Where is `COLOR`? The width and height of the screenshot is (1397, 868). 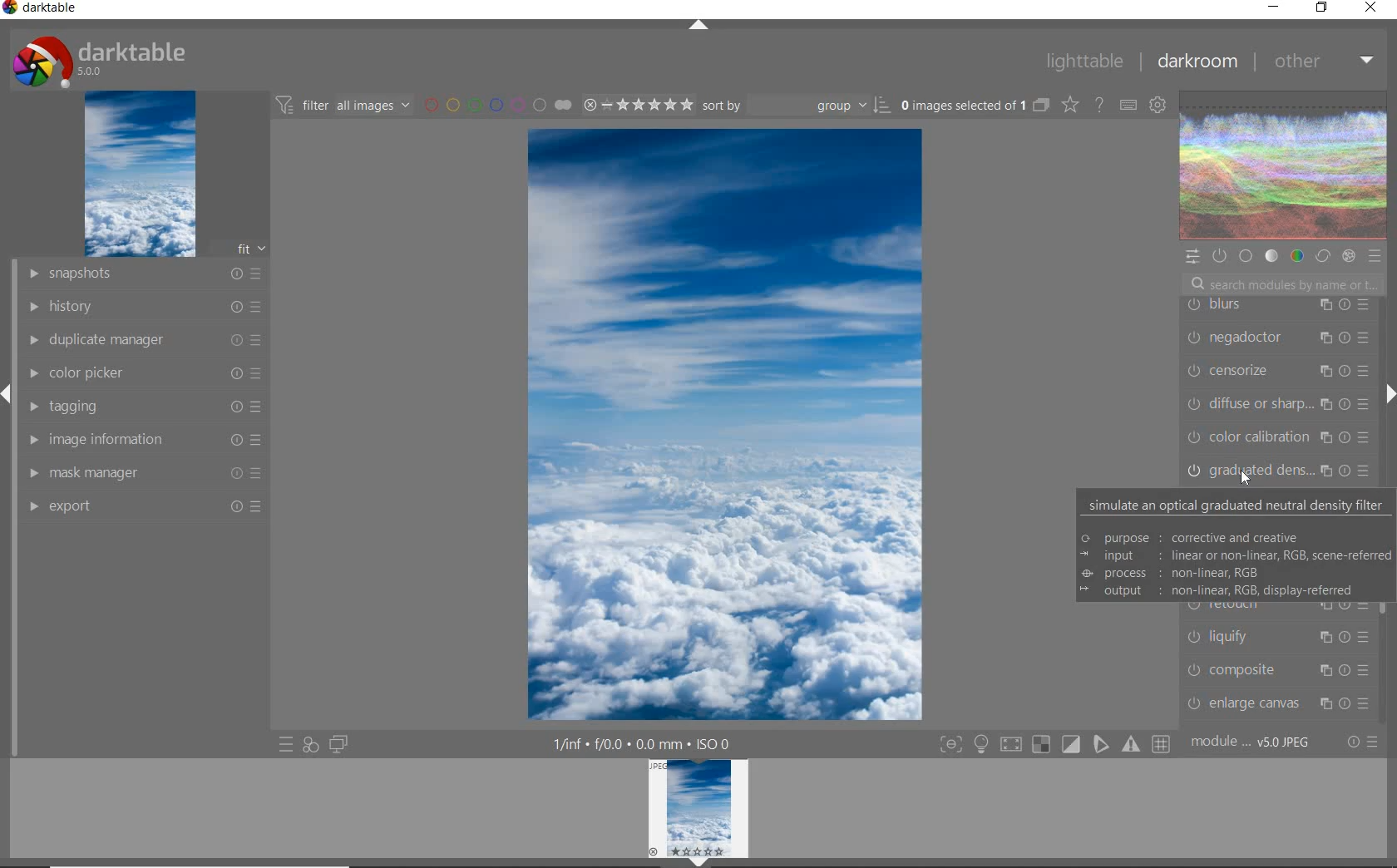 COLOR is located at coordinates (1296, 257).